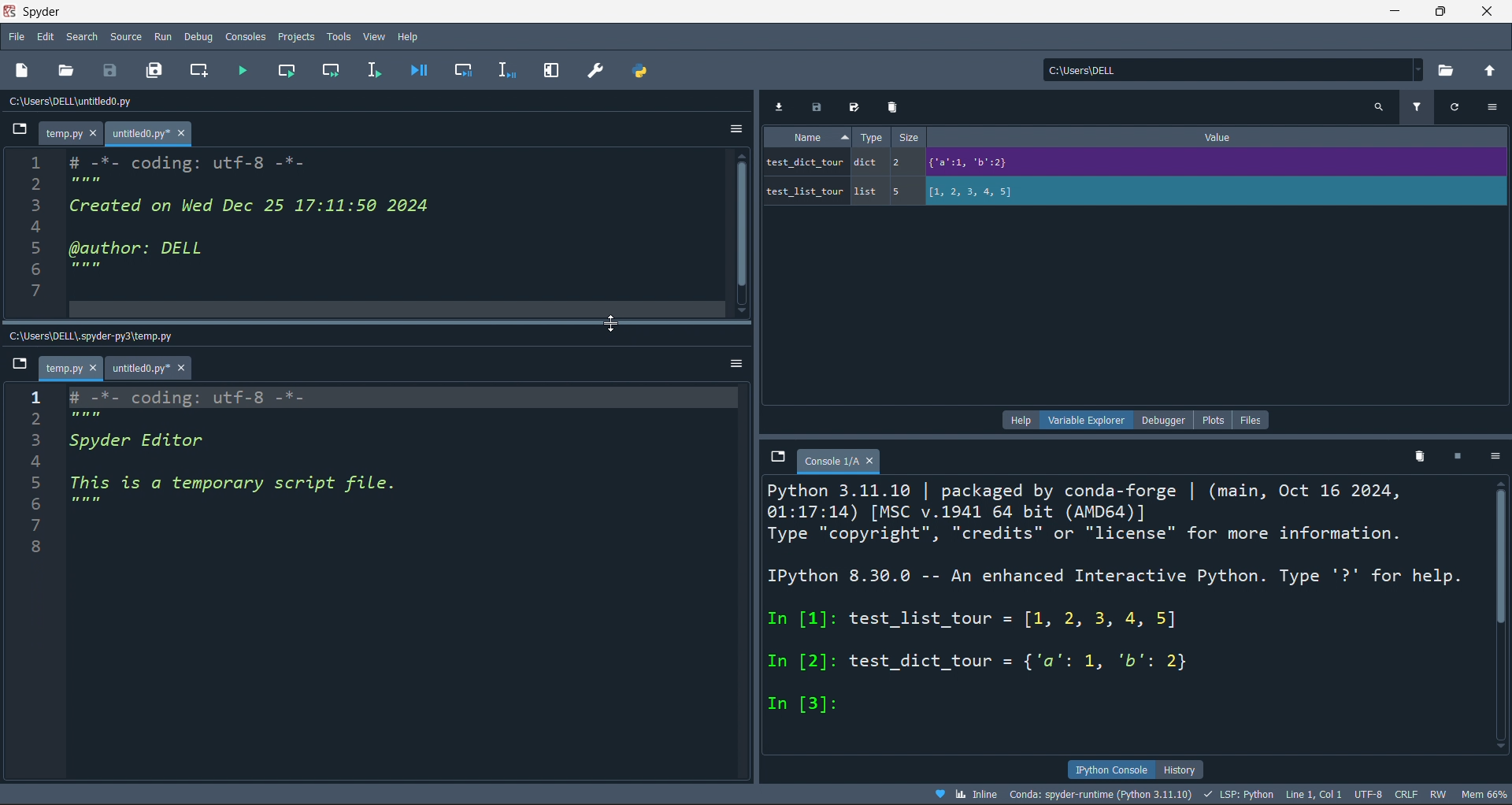 This screenshot has width=1512, height=805. I want to click on tab, so click(841, 460).